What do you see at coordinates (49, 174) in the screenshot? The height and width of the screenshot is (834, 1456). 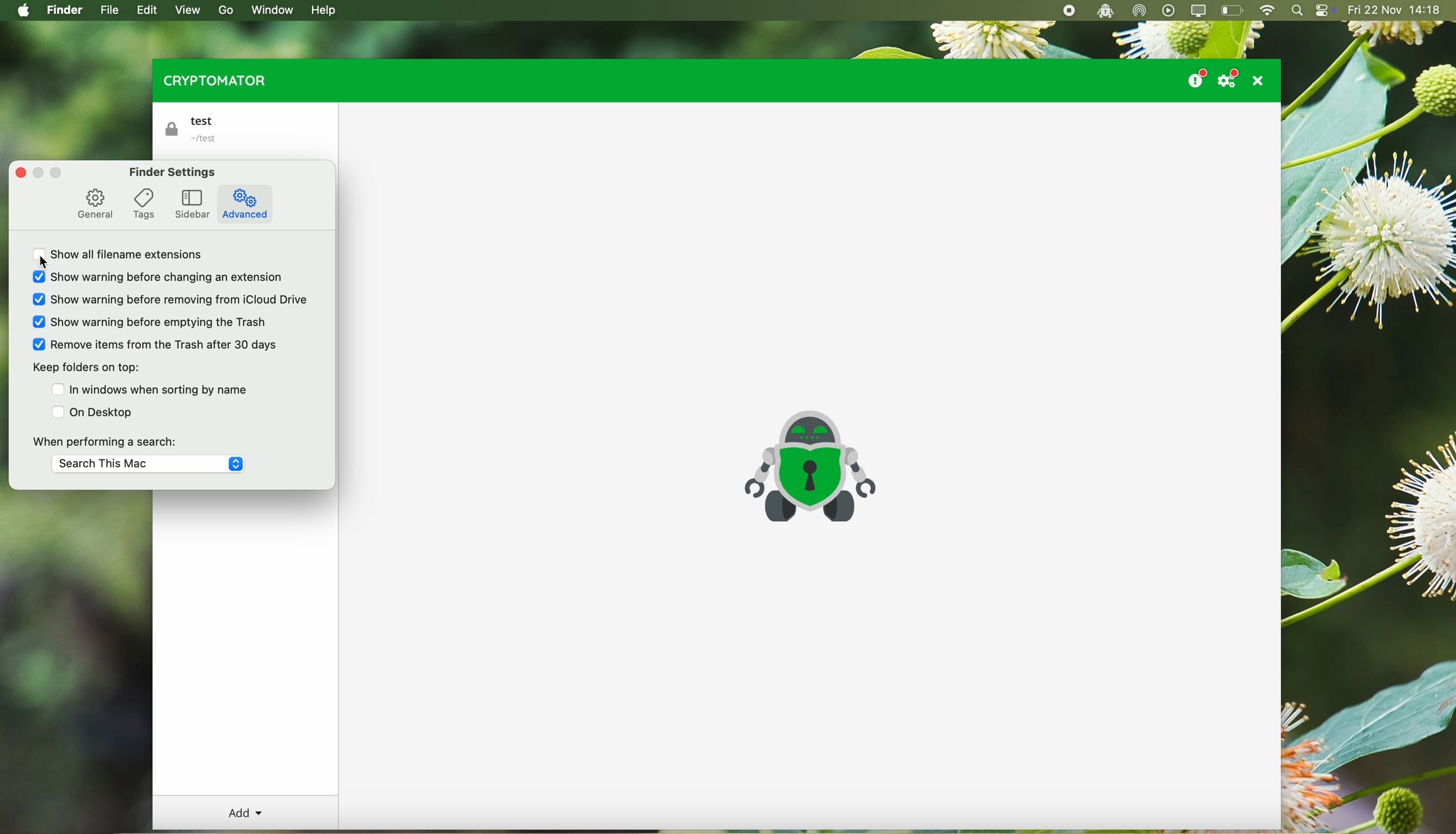 I see `disable buttons` at bounding box center [49, 174].